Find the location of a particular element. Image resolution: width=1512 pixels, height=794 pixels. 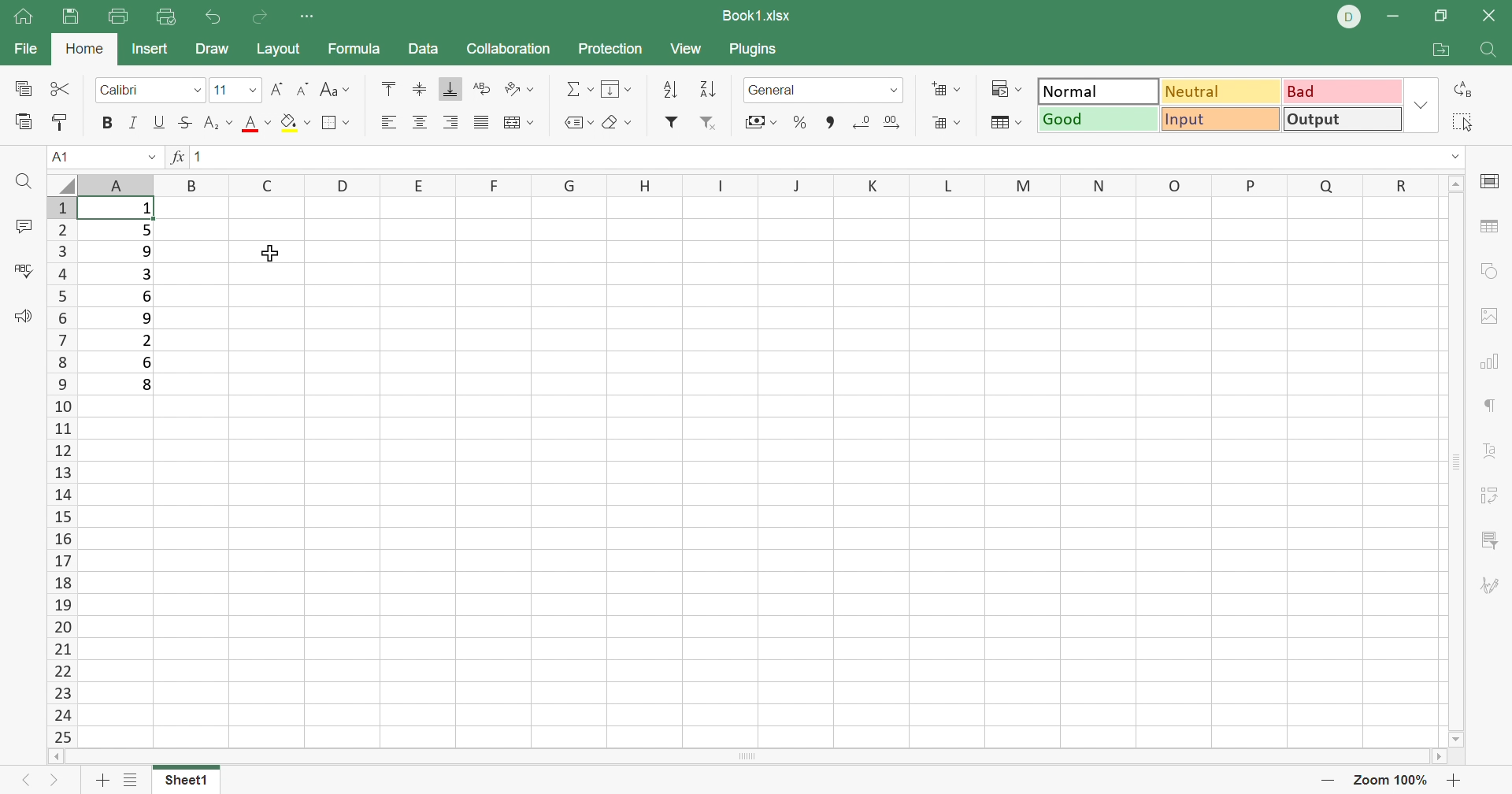

Wrap text is located at coordinates (480, 90).